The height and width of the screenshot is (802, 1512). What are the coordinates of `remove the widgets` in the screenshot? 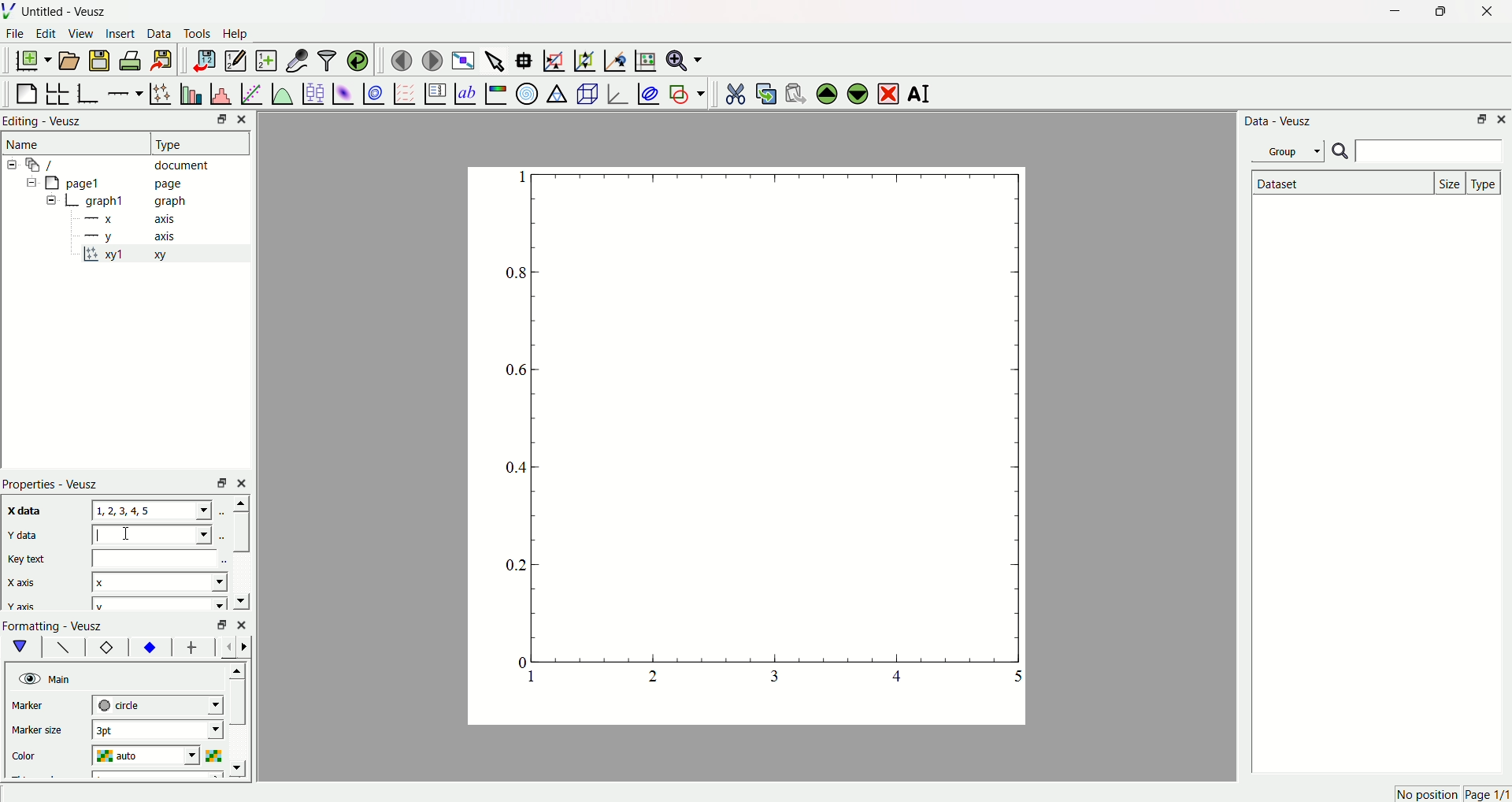 It's located at (888, 92).